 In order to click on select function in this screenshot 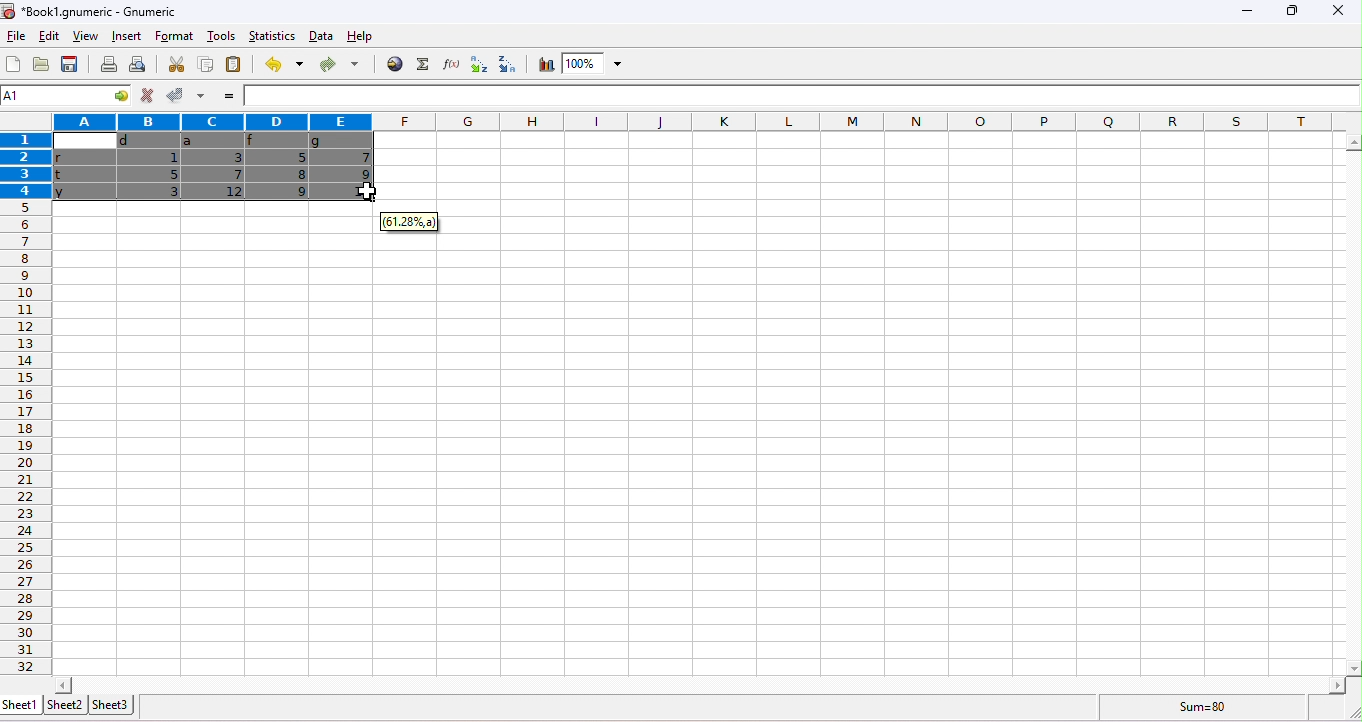, I will do `click(421, 64)`.